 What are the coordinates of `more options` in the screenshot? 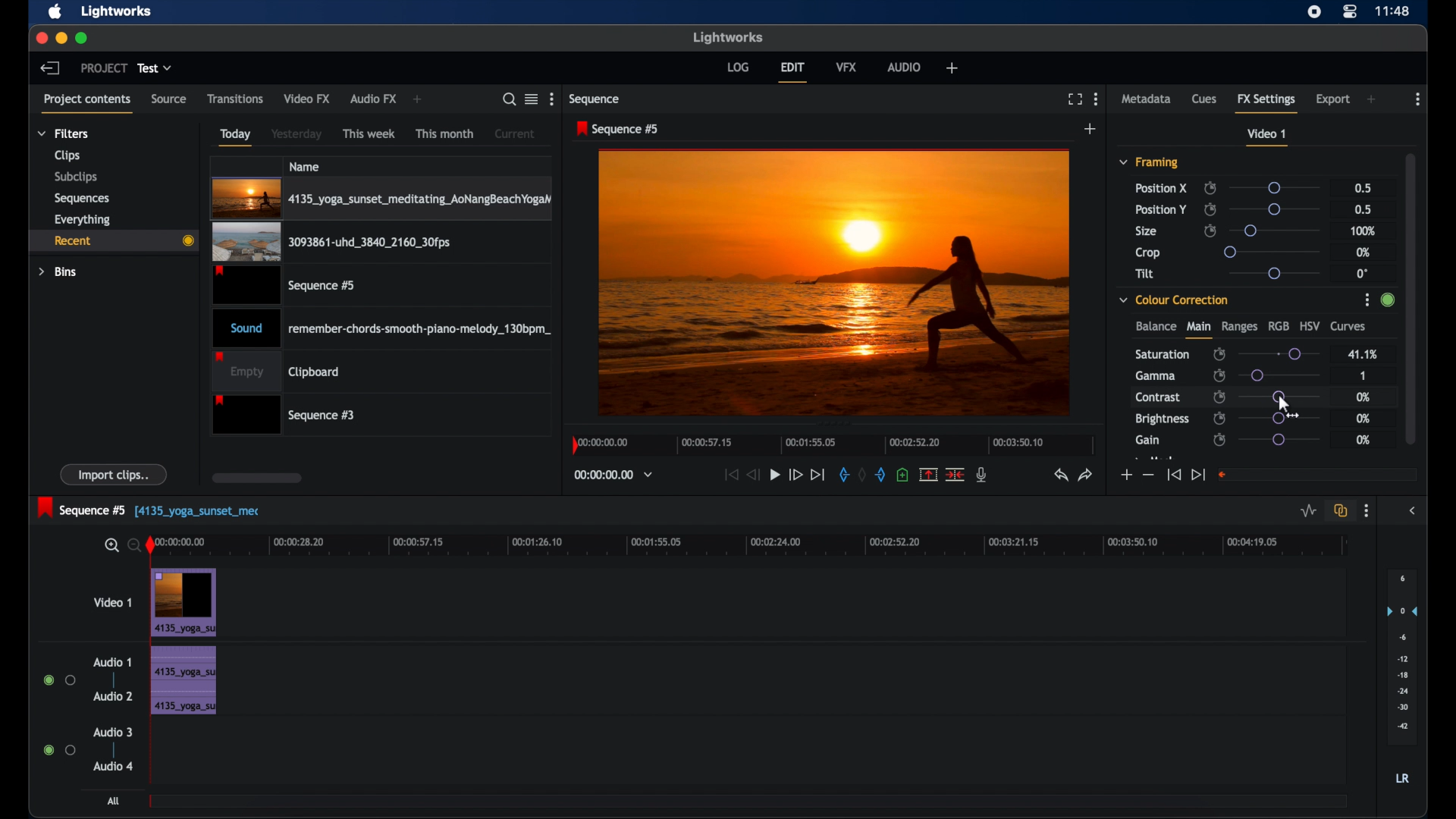 It's located at (551, 99).